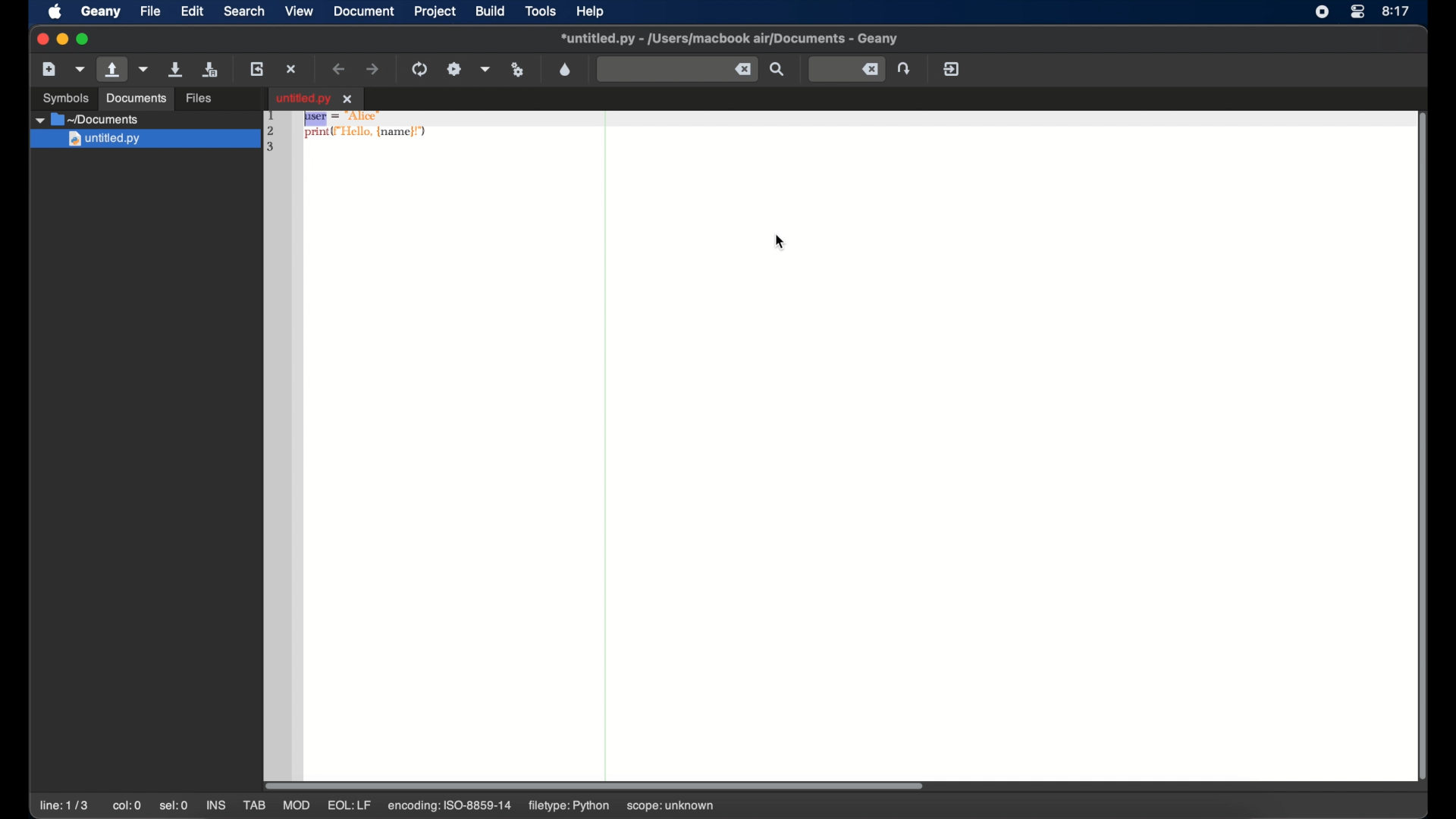  Describe the element at coordinates (952, 68) in the screenshot. I see `quit geany` at that location.